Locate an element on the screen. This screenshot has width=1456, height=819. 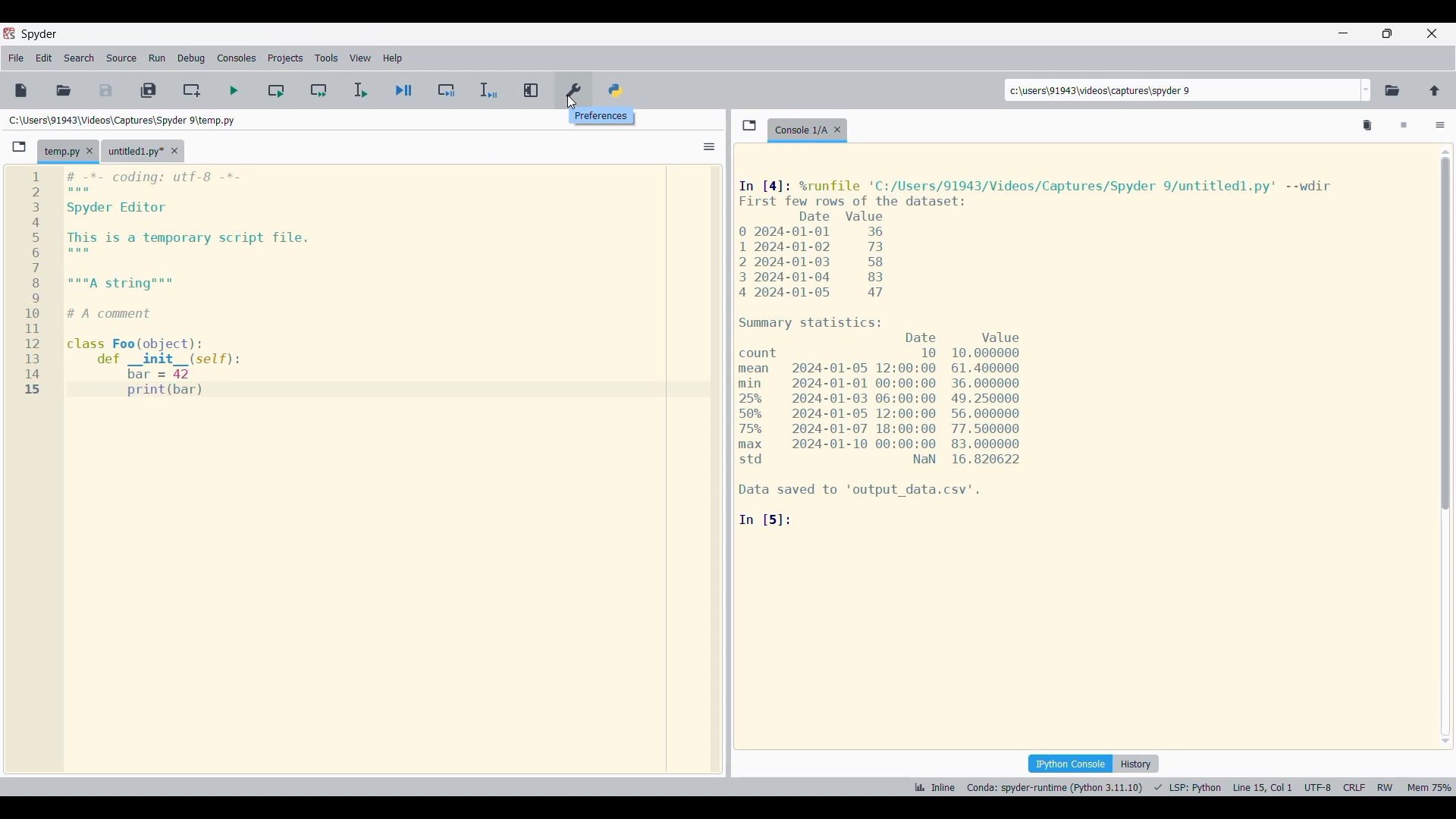
Debug file  is located at coordinates (405, 90).